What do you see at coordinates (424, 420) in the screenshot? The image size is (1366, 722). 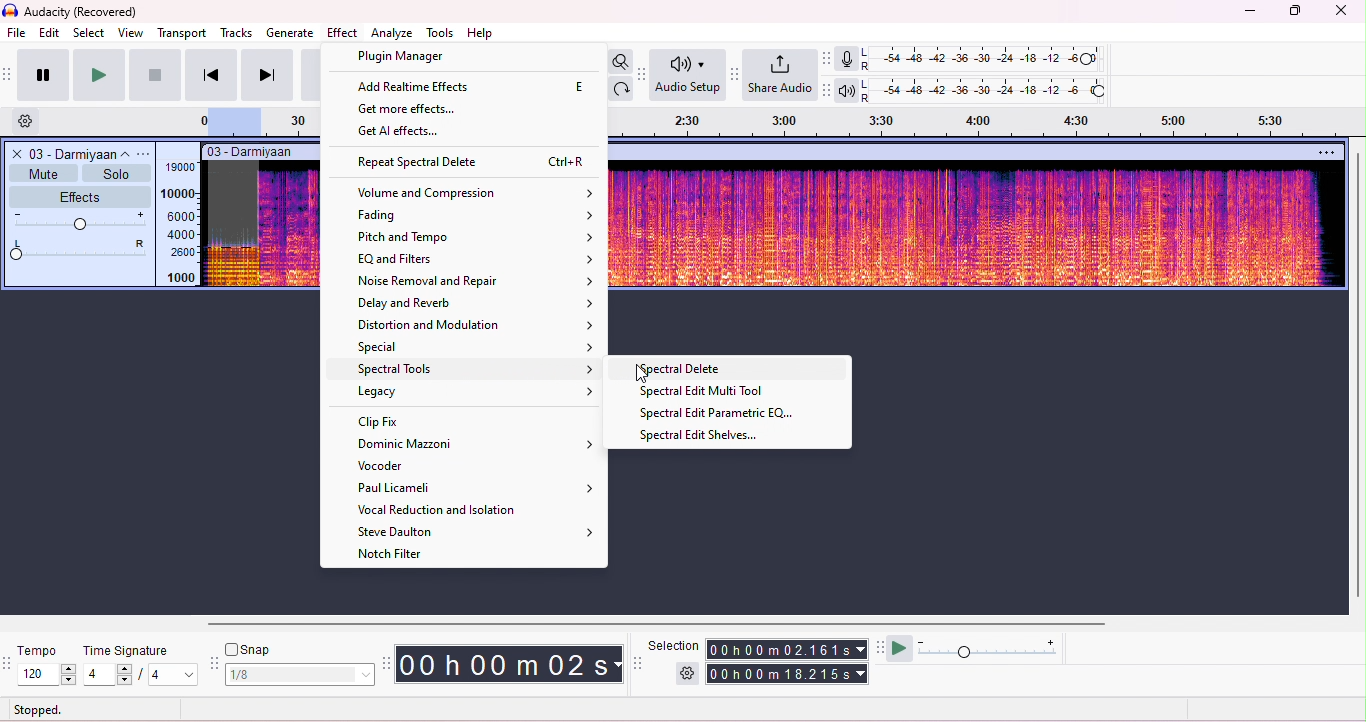 I see `clip fix` at bounding box center [424, 420].